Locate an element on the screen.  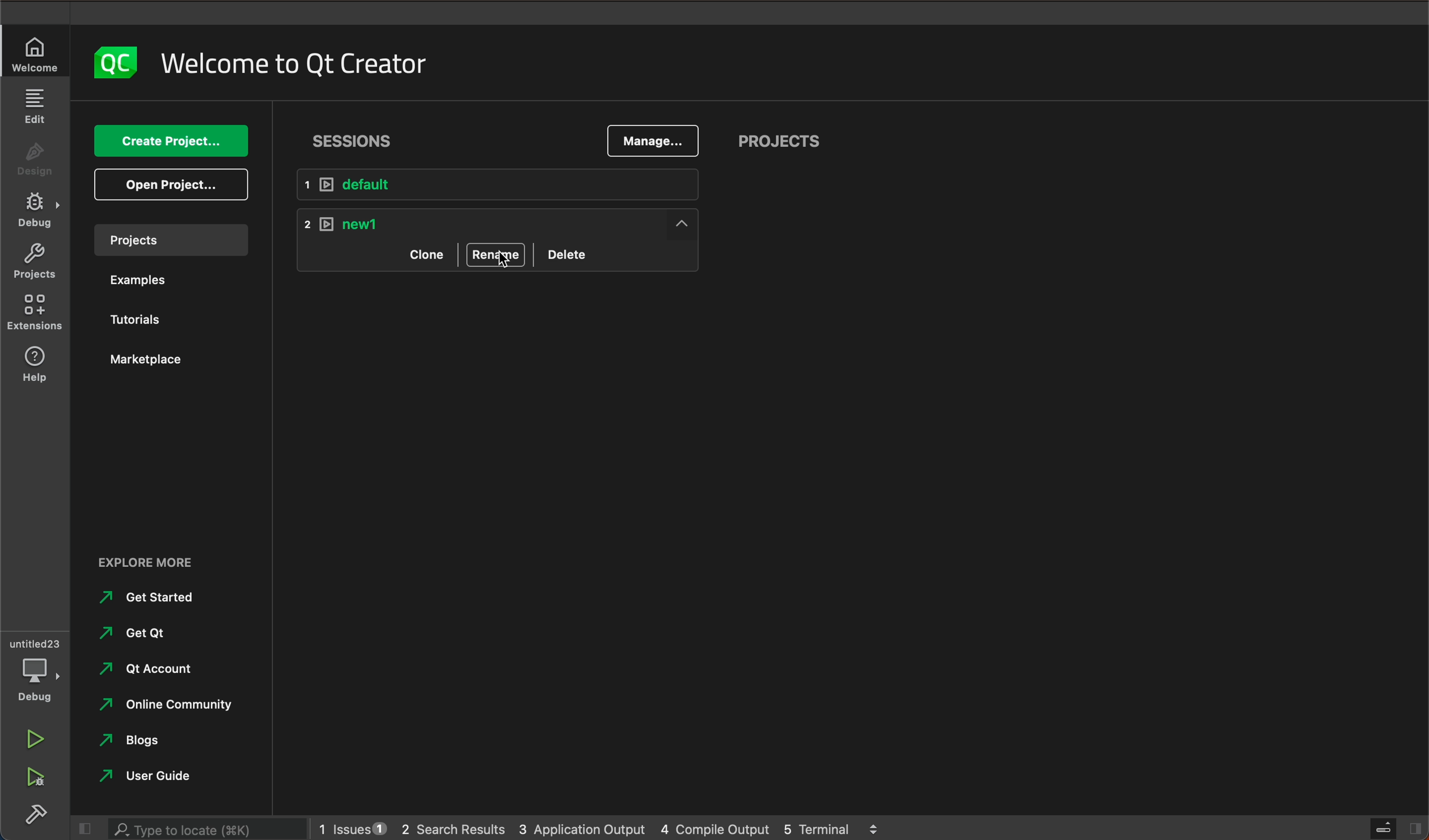
qt account is located at coordinates (157, 667).